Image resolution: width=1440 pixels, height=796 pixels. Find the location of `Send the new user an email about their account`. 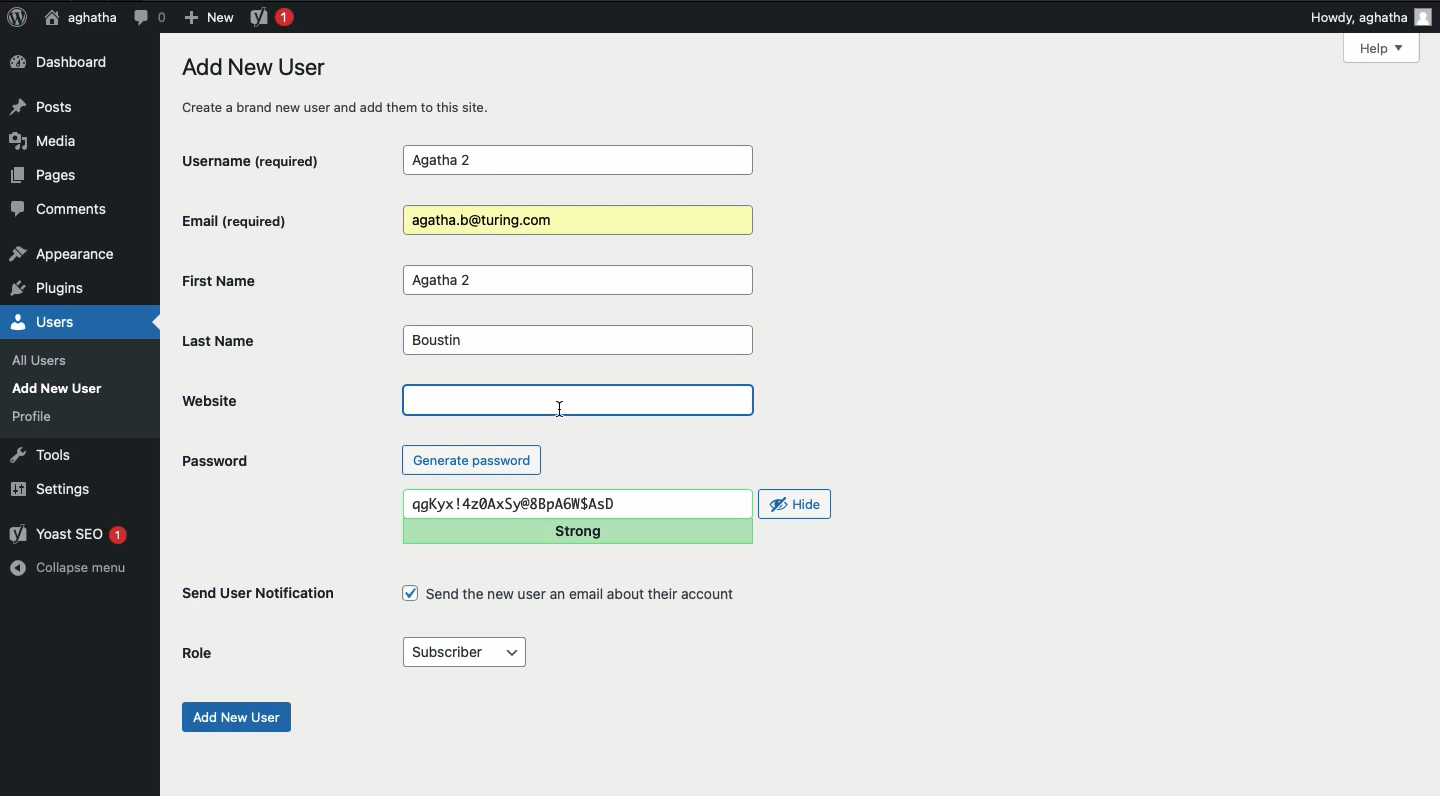

Send the new user an email about their account is located at coordinates (572, 594).